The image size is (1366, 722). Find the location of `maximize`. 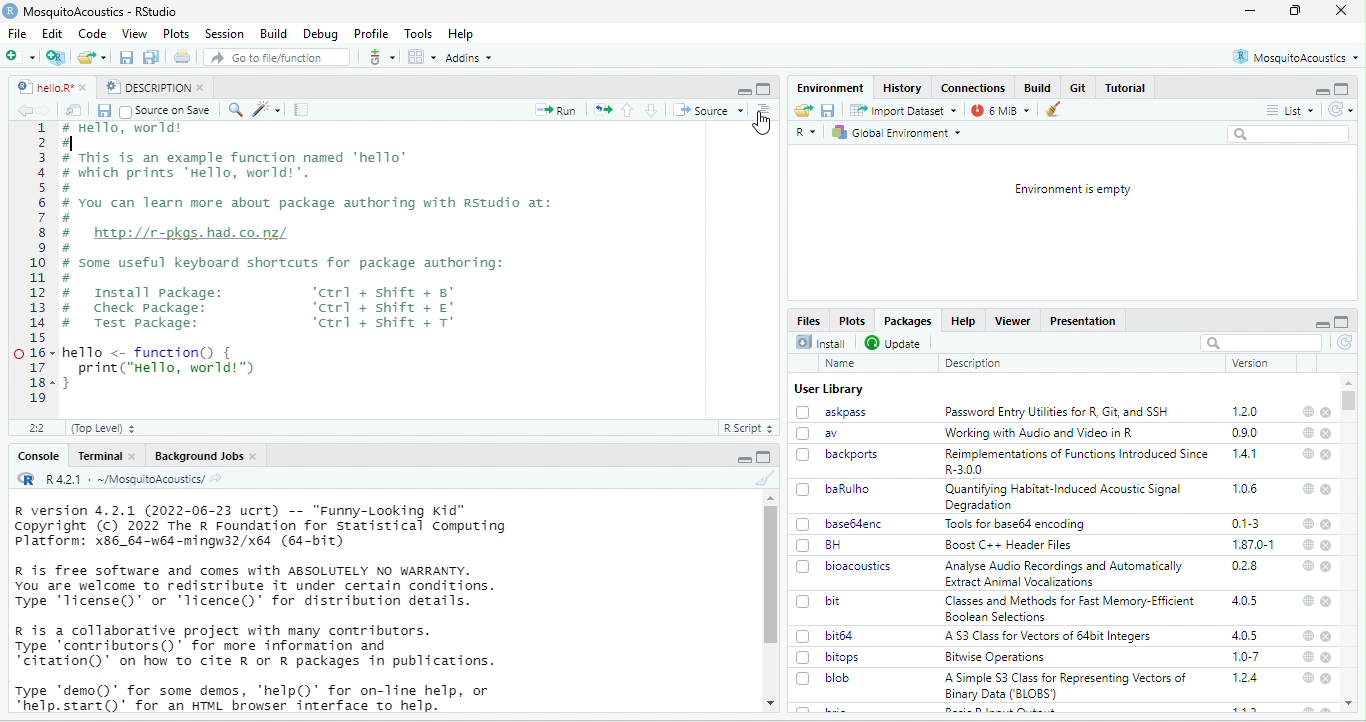

maximize is located at coordinates (1342, 89).